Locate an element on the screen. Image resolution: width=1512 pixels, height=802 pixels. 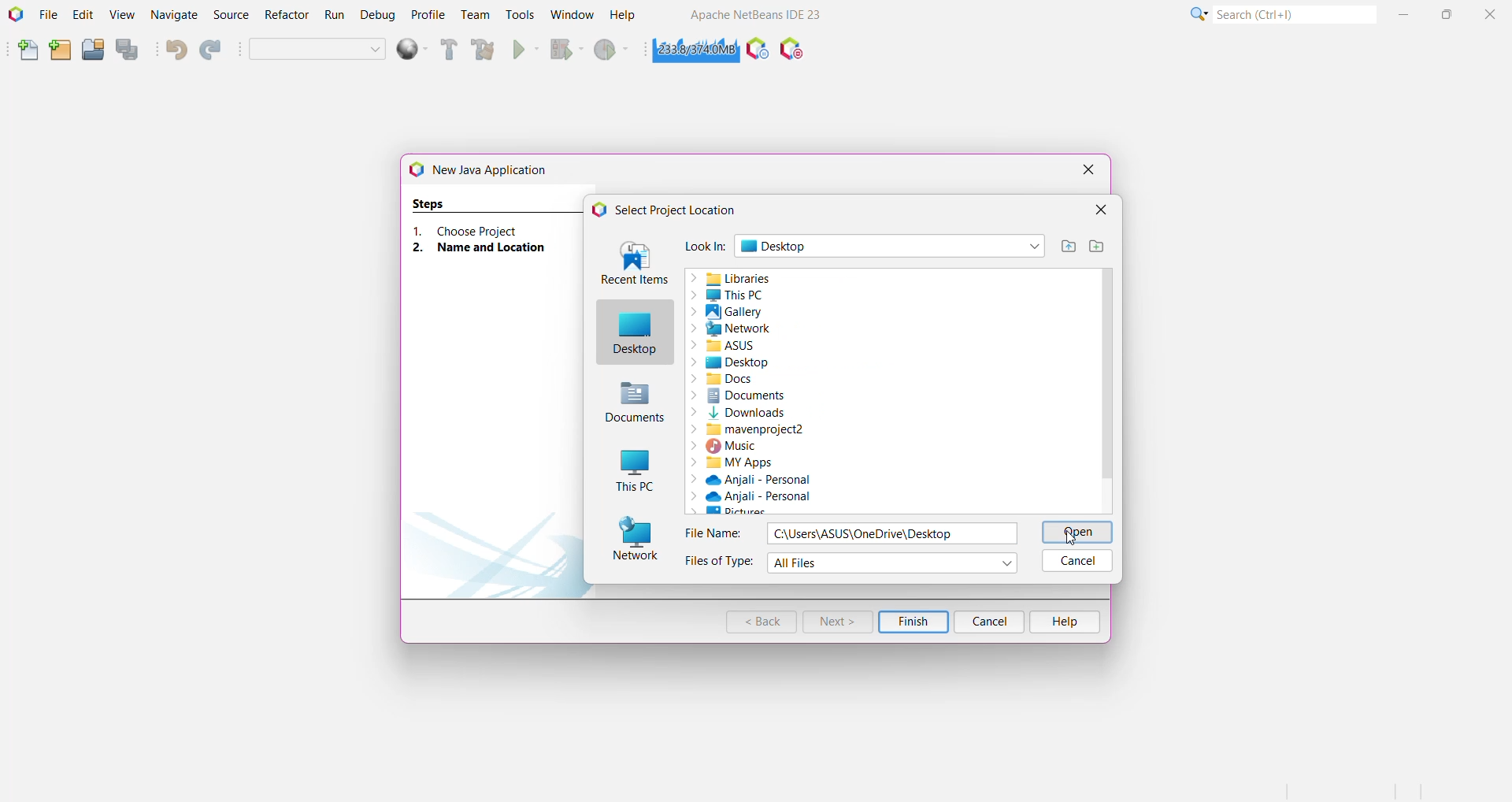
Redo is located at coordinates (210, 50).